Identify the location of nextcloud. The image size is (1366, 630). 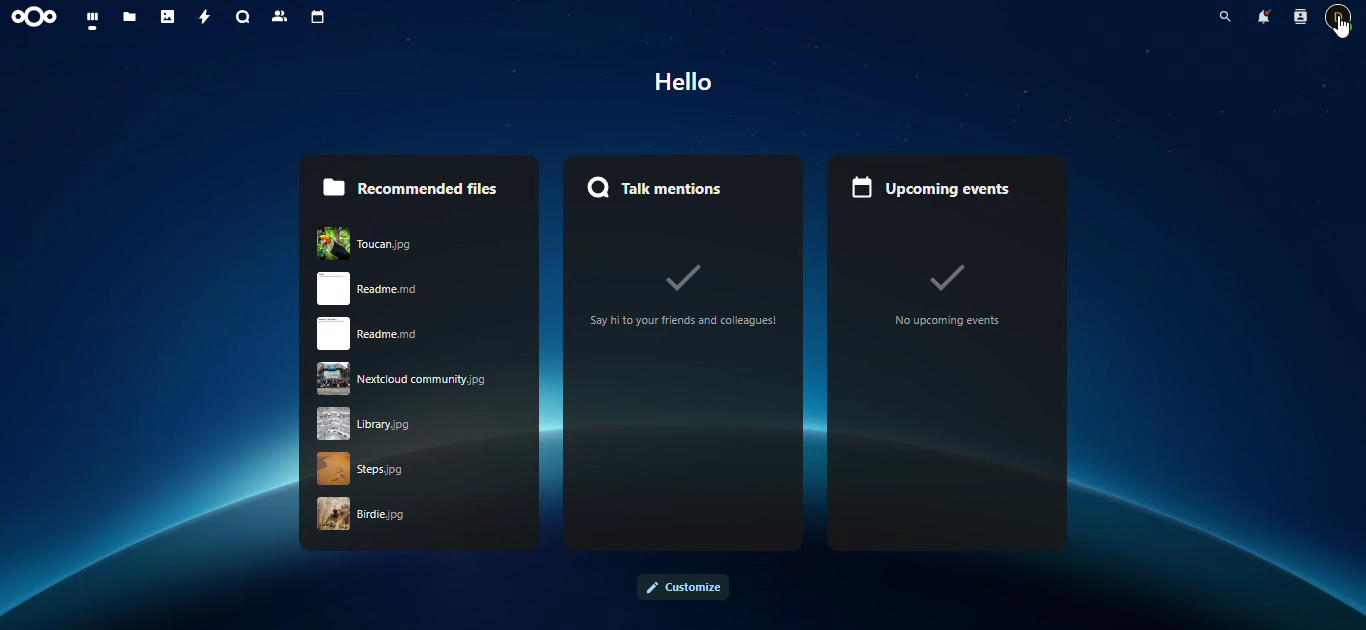
(38, 17).